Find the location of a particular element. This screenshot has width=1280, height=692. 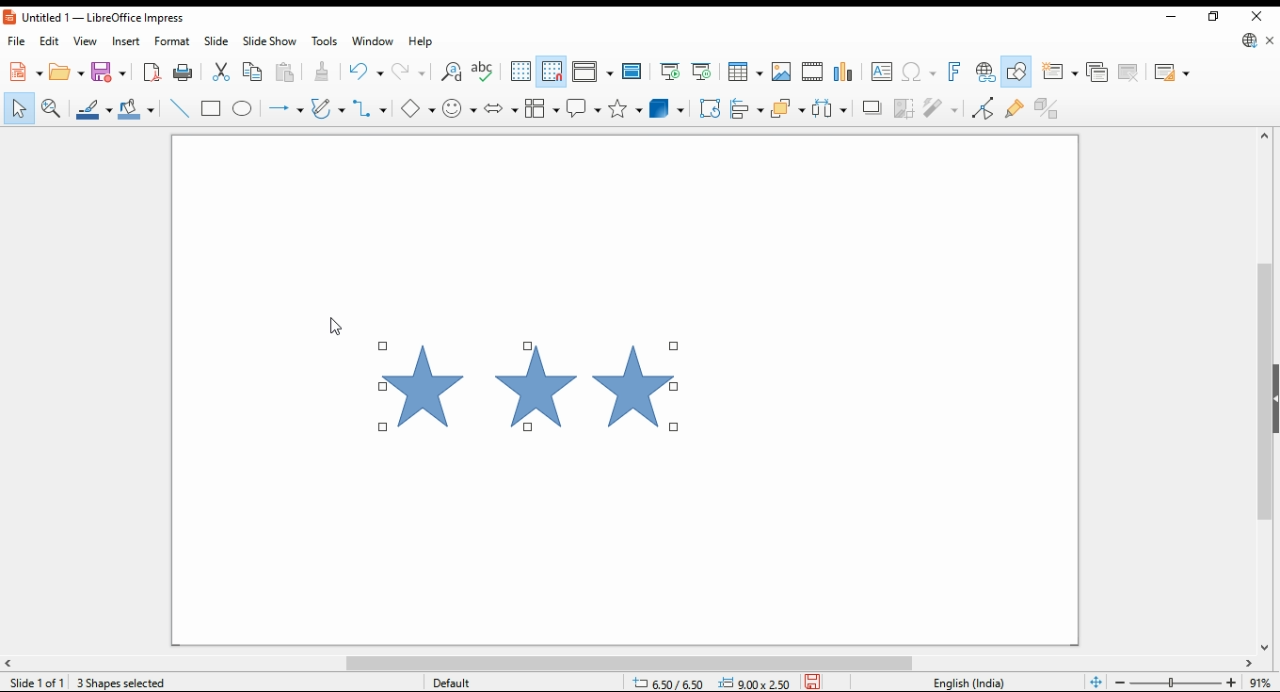

pan and zoom is located at coordinates (52, 108).